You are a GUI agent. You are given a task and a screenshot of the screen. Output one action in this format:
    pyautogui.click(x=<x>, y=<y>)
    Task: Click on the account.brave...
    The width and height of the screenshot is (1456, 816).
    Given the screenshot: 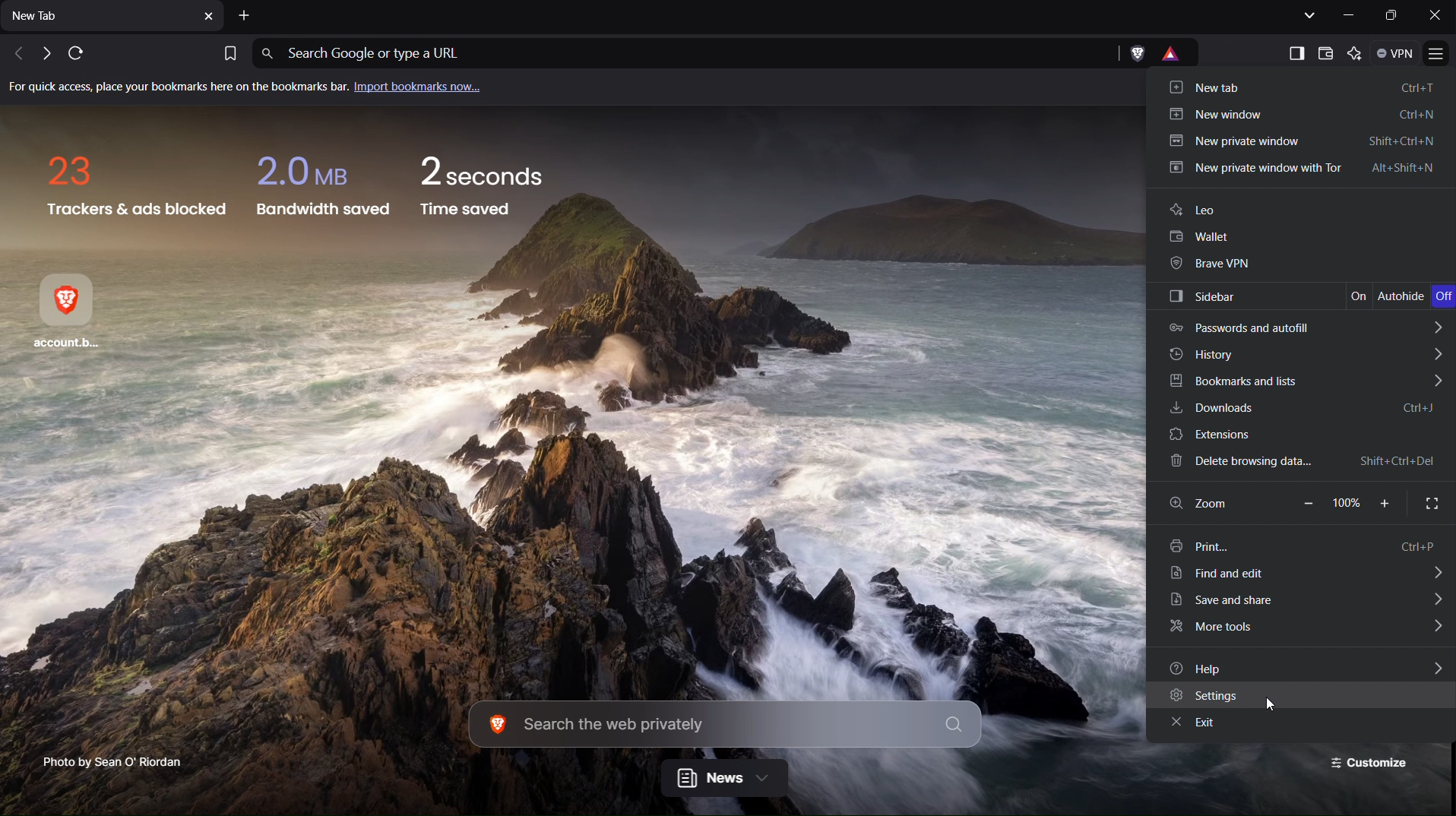 What is the action you would take?
    pyautogui.click(x=76, y=314)
    